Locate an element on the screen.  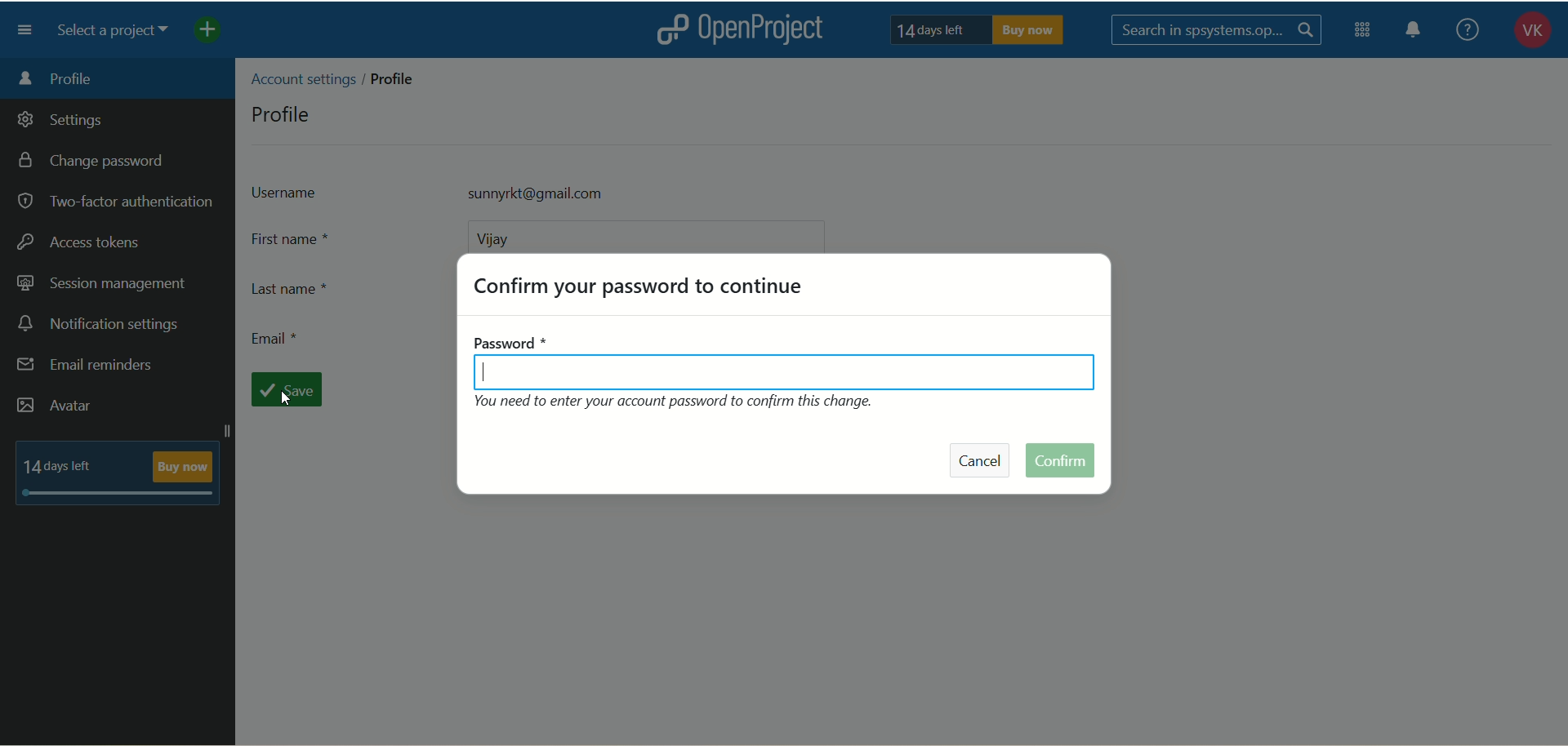
two-factor authentication is located at coordinates (114, 202).